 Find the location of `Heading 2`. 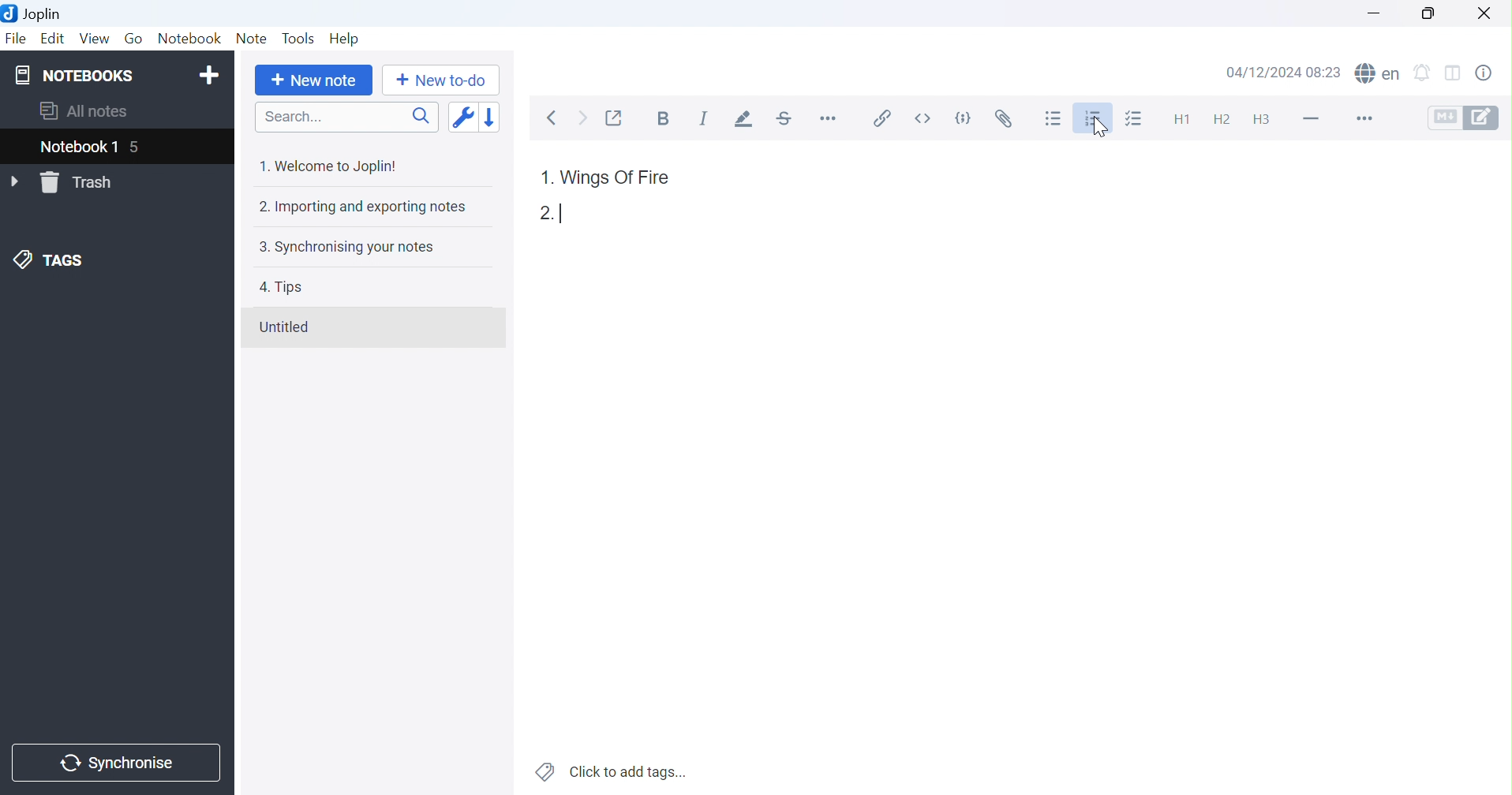

Heading 2 is located at coordinates (1221, 117).